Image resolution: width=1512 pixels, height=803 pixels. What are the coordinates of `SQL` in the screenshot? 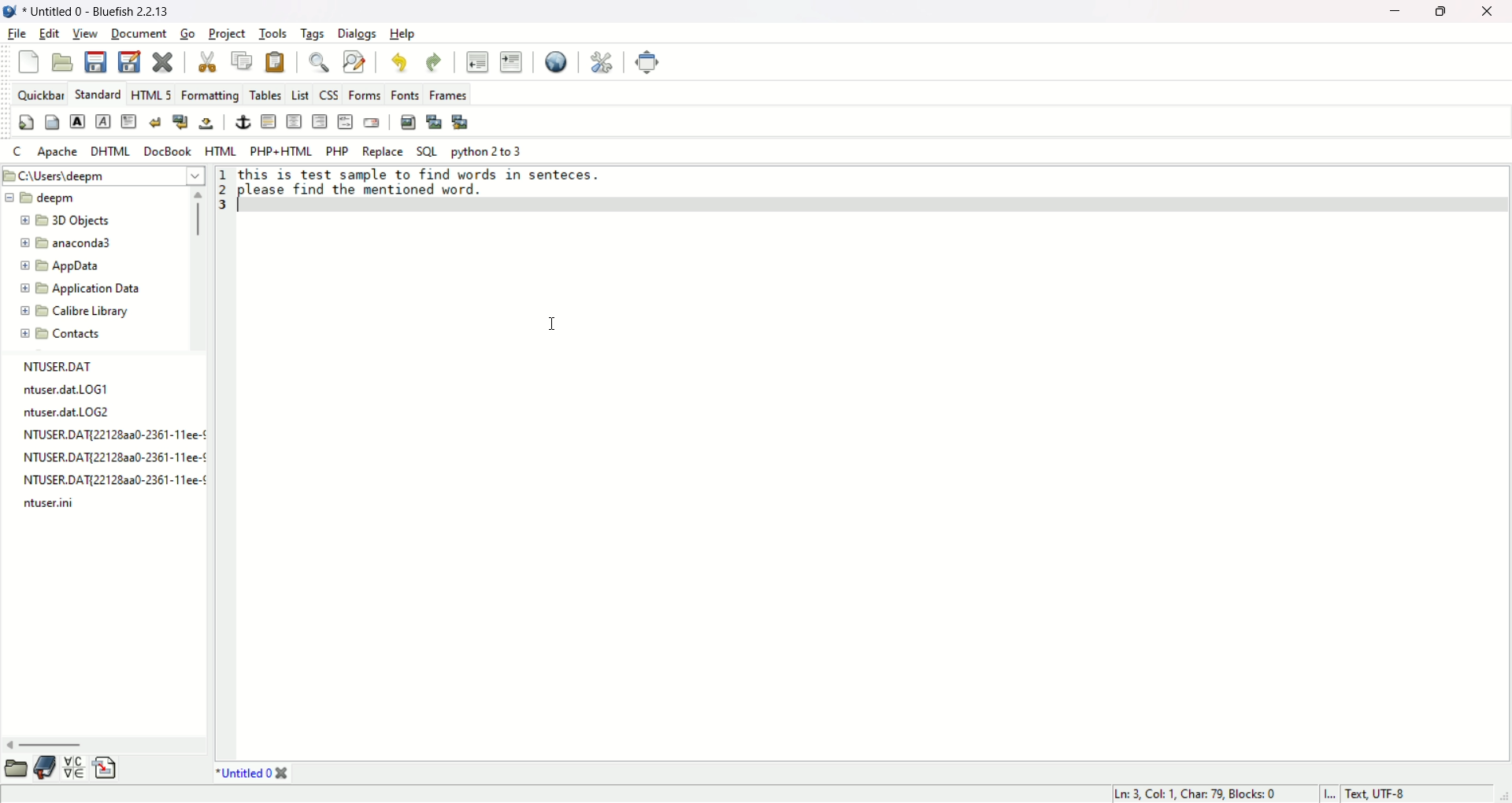 It's located at (426, 151).